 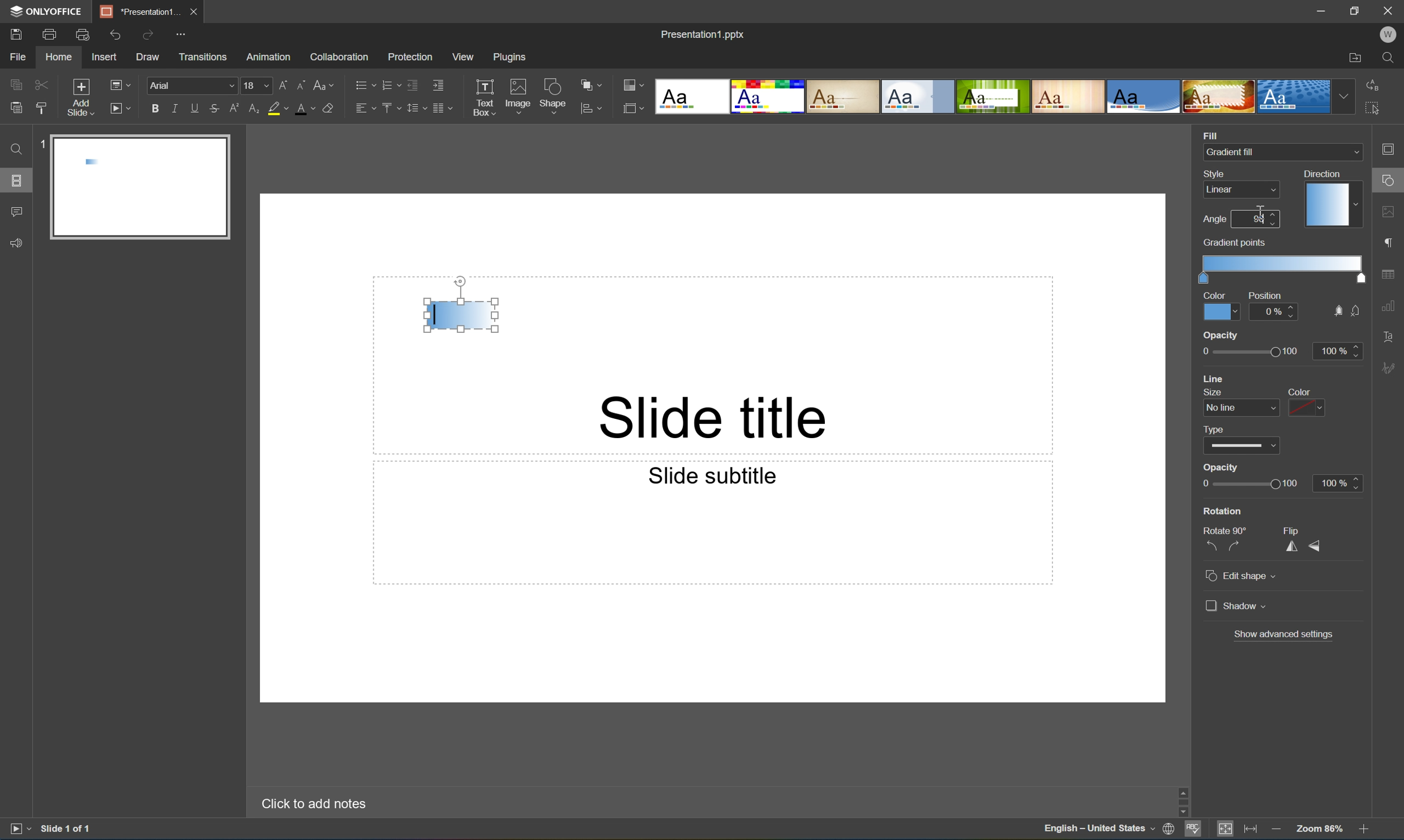 I want to click on chart settings, so click(x=1388, y=306).